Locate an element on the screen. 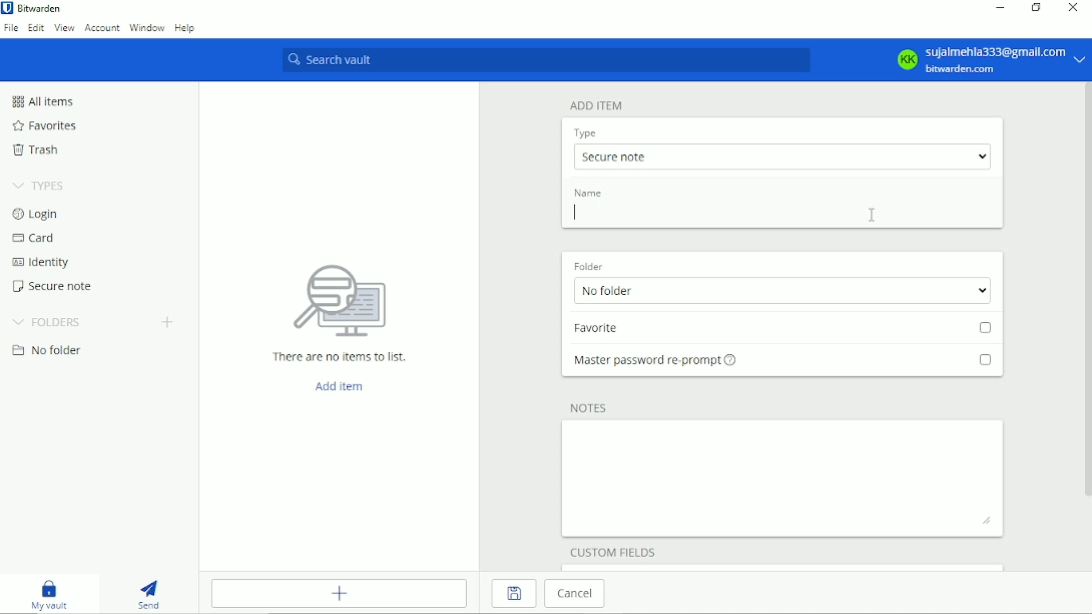  Identity is located at coordinates (40, 263).